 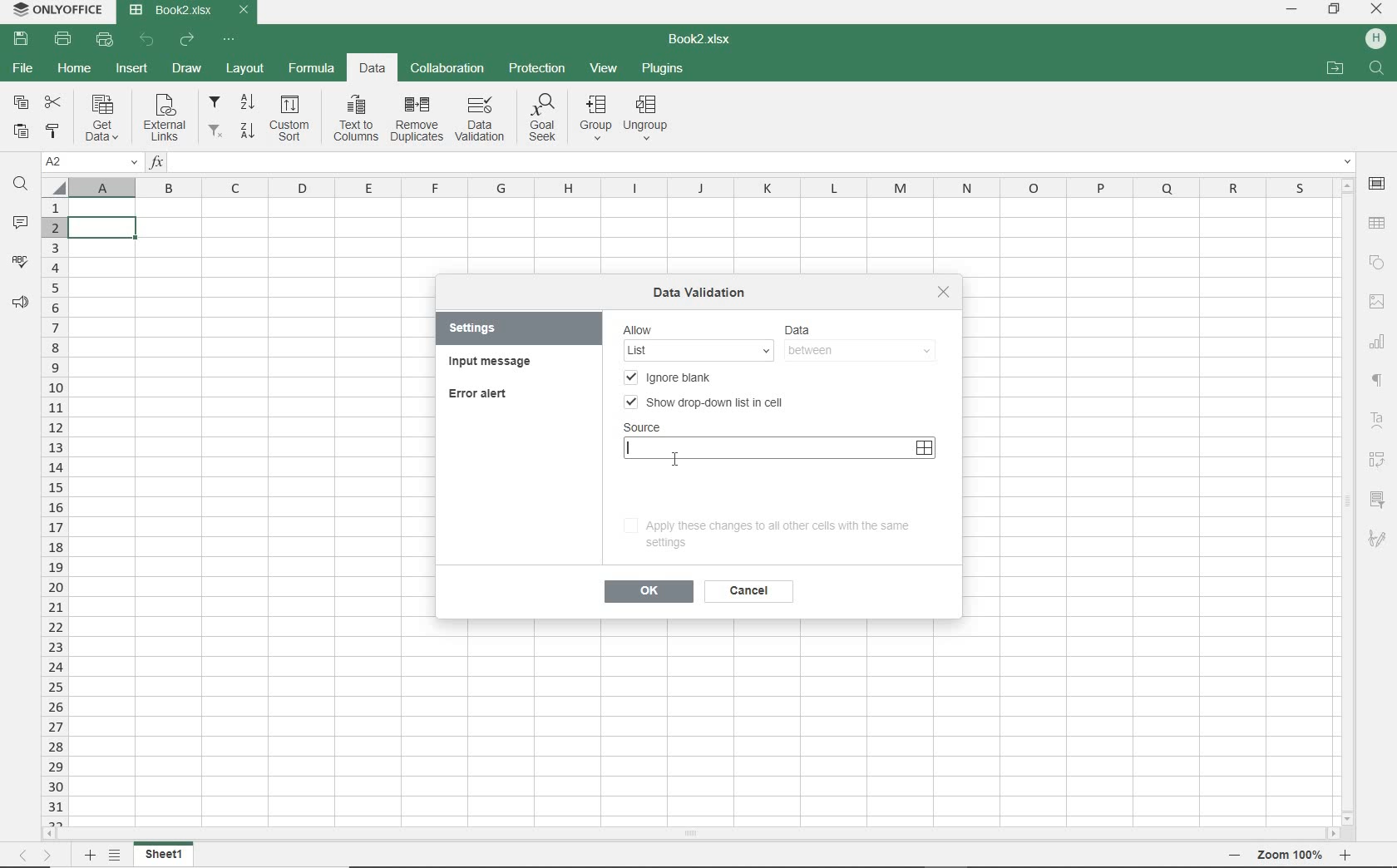 What do you see at coordinates (483, 392) in the screenshot?
I see `error alert` at bounding box center [483, 392].